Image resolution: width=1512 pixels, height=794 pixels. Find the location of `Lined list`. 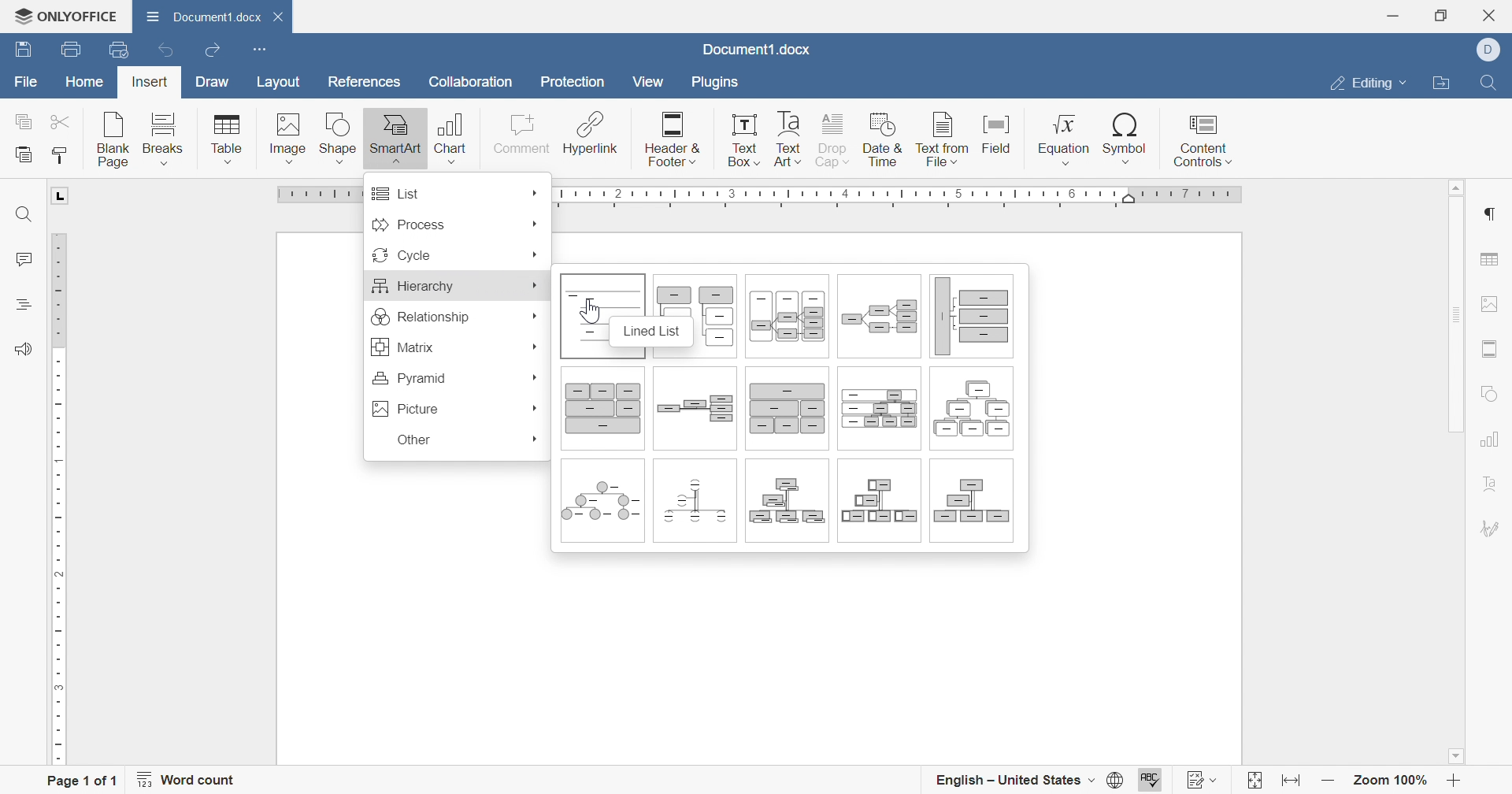

Lined list is located at coordinates (653, 331).